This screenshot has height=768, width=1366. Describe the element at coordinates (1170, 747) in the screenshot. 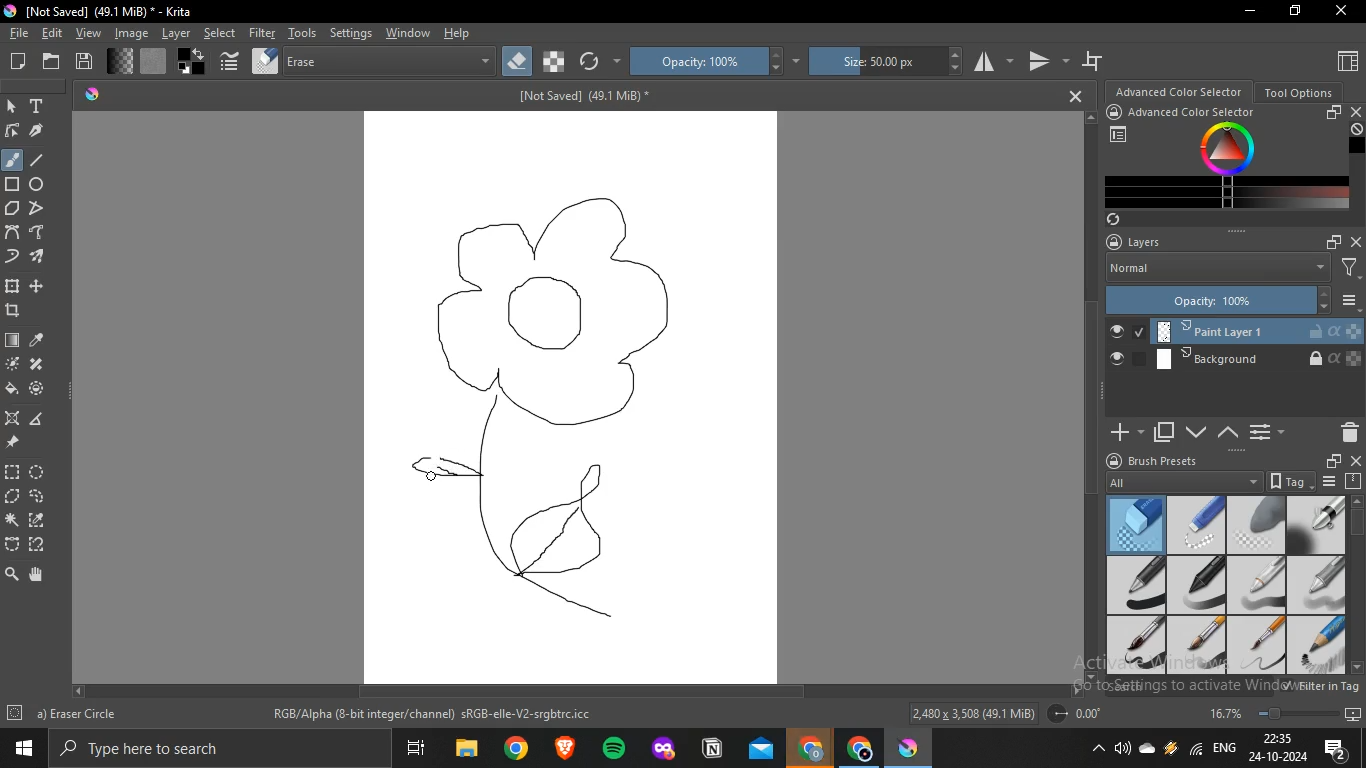

I see `Charge` at that location.